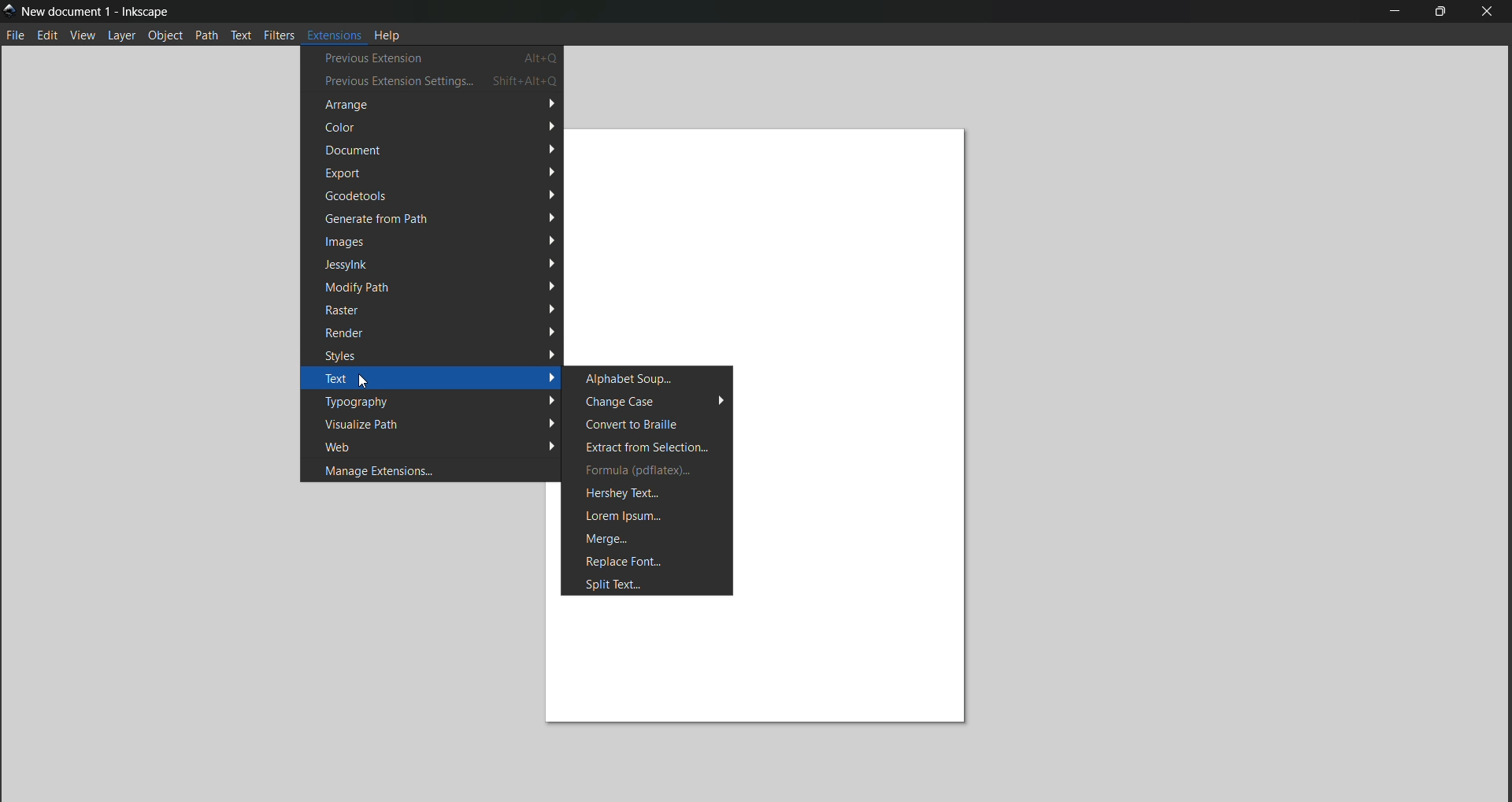  What do you see at coordinates (647, 493) in the screenshot?
I see `Hershey Text` at bounding box center [647, 493].